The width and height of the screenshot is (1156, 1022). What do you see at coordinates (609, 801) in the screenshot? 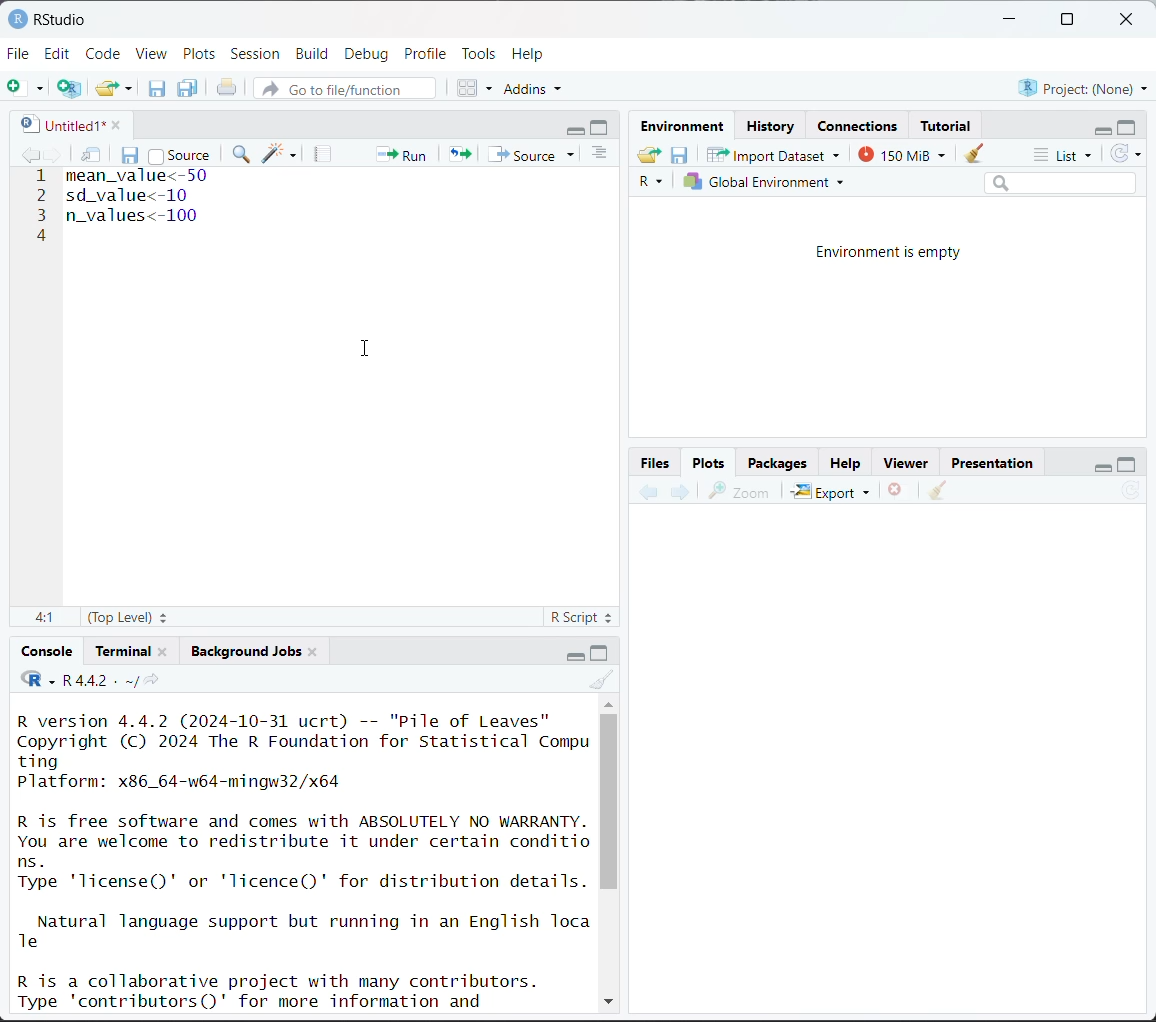
I see `vertical scroll bar` at bounding box center [609, 801].